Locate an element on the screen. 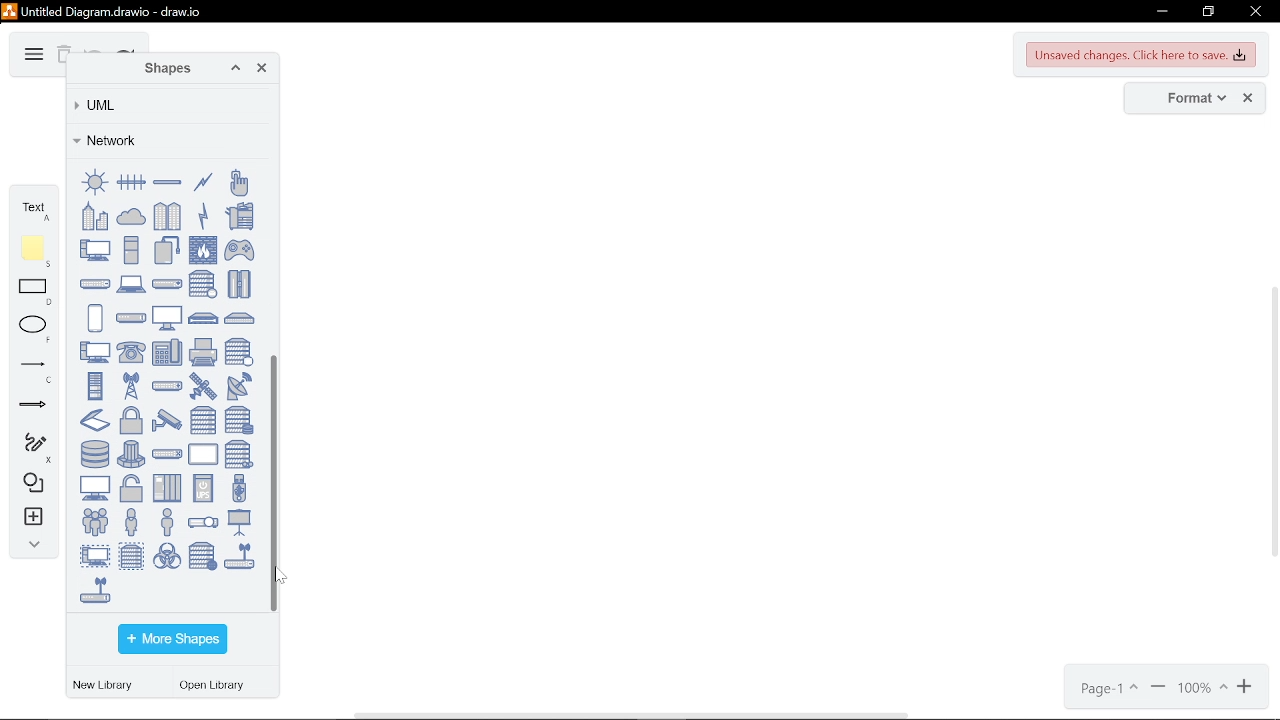 The height and width of the screenshot is (720, 1280). shapes is located at coordinates (30, 484).